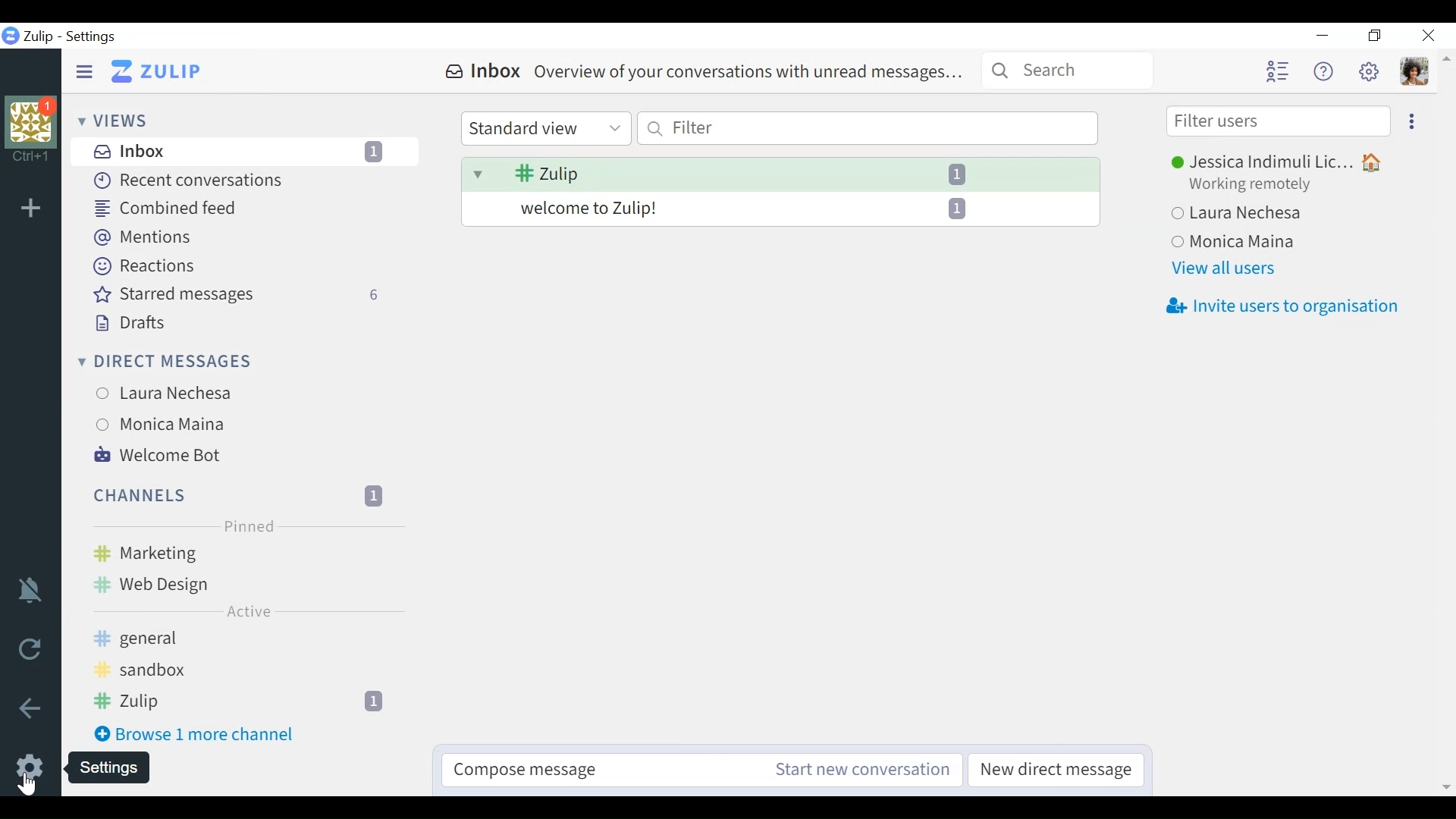 The image size is (1456, 819). Describe the element at coordinates (120, 121) in the screenshot. I see `Views` at that location.